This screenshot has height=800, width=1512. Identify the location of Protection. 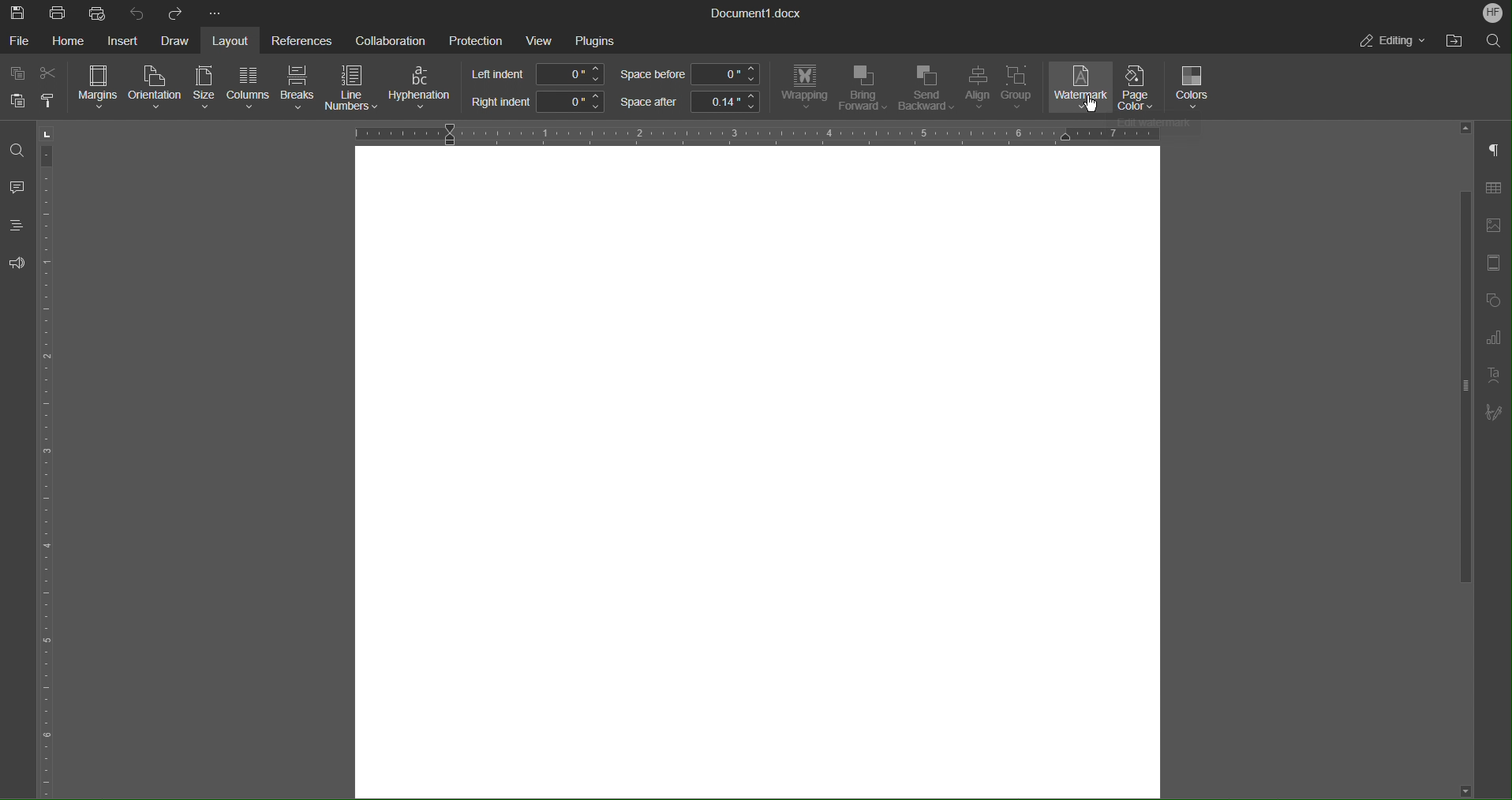
(476, 39).